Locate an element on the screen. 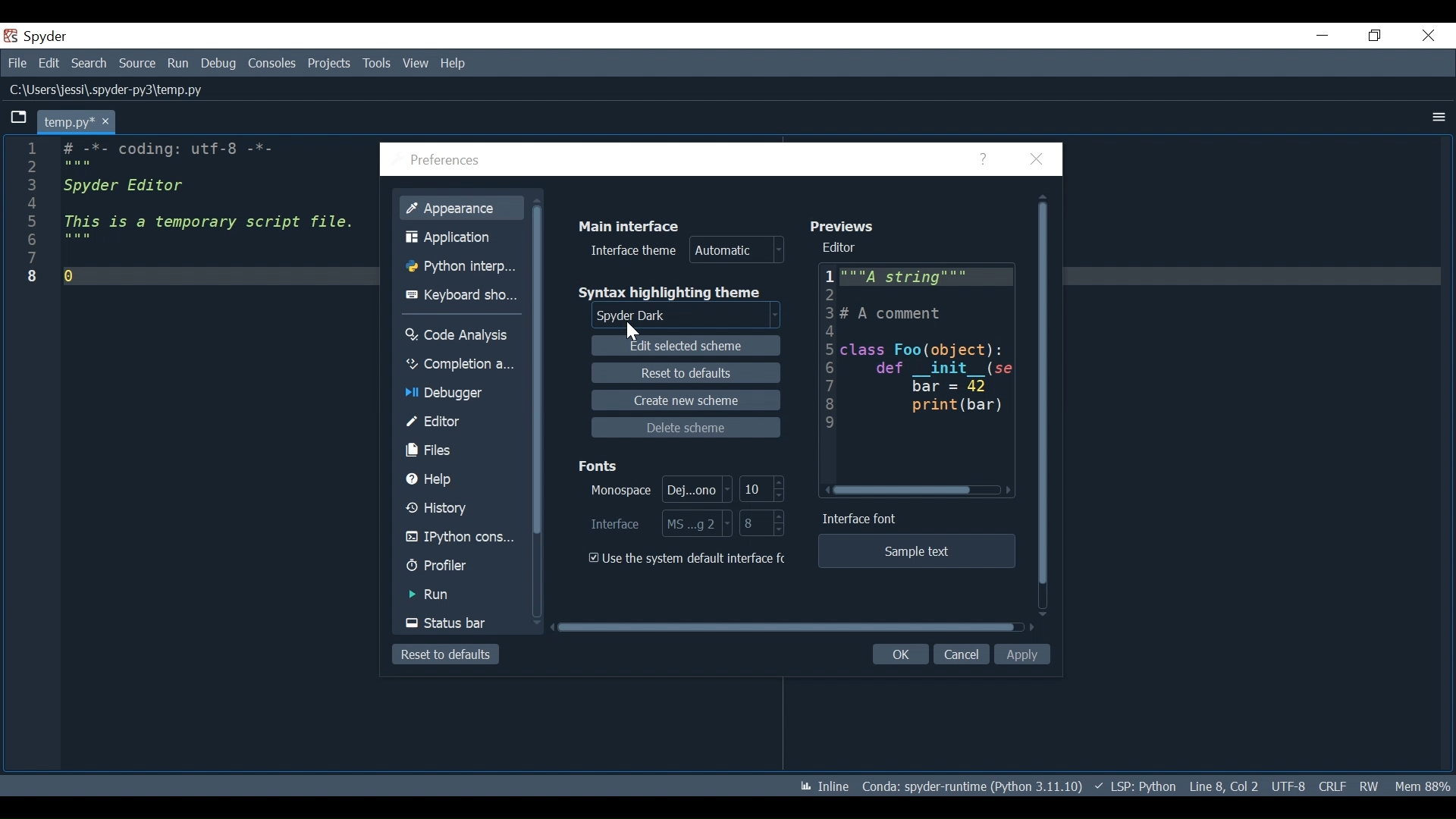  Cancel is located at coordinates (962, 654).